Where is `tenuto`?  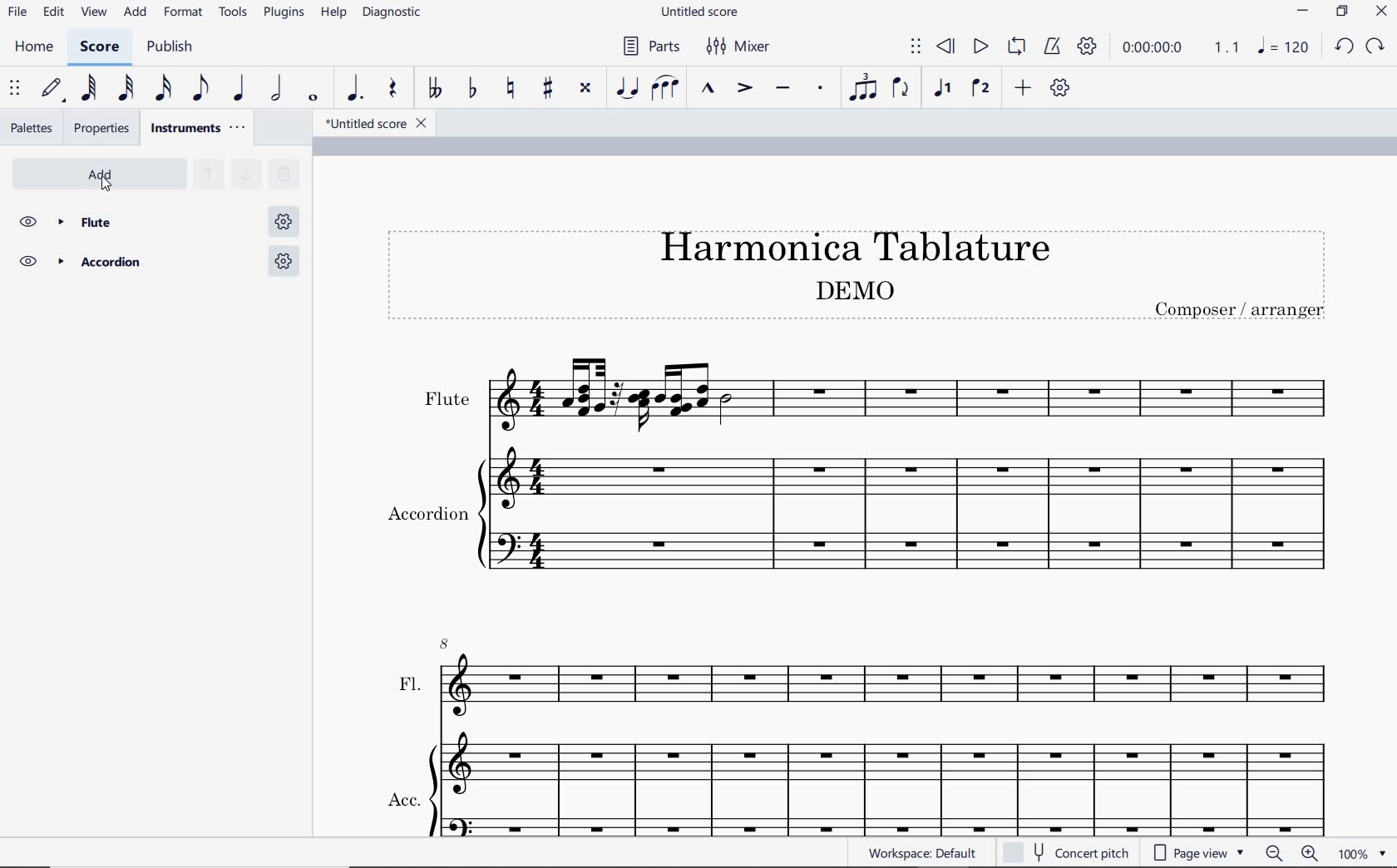 tenuto is located at coordinates (782, 89).